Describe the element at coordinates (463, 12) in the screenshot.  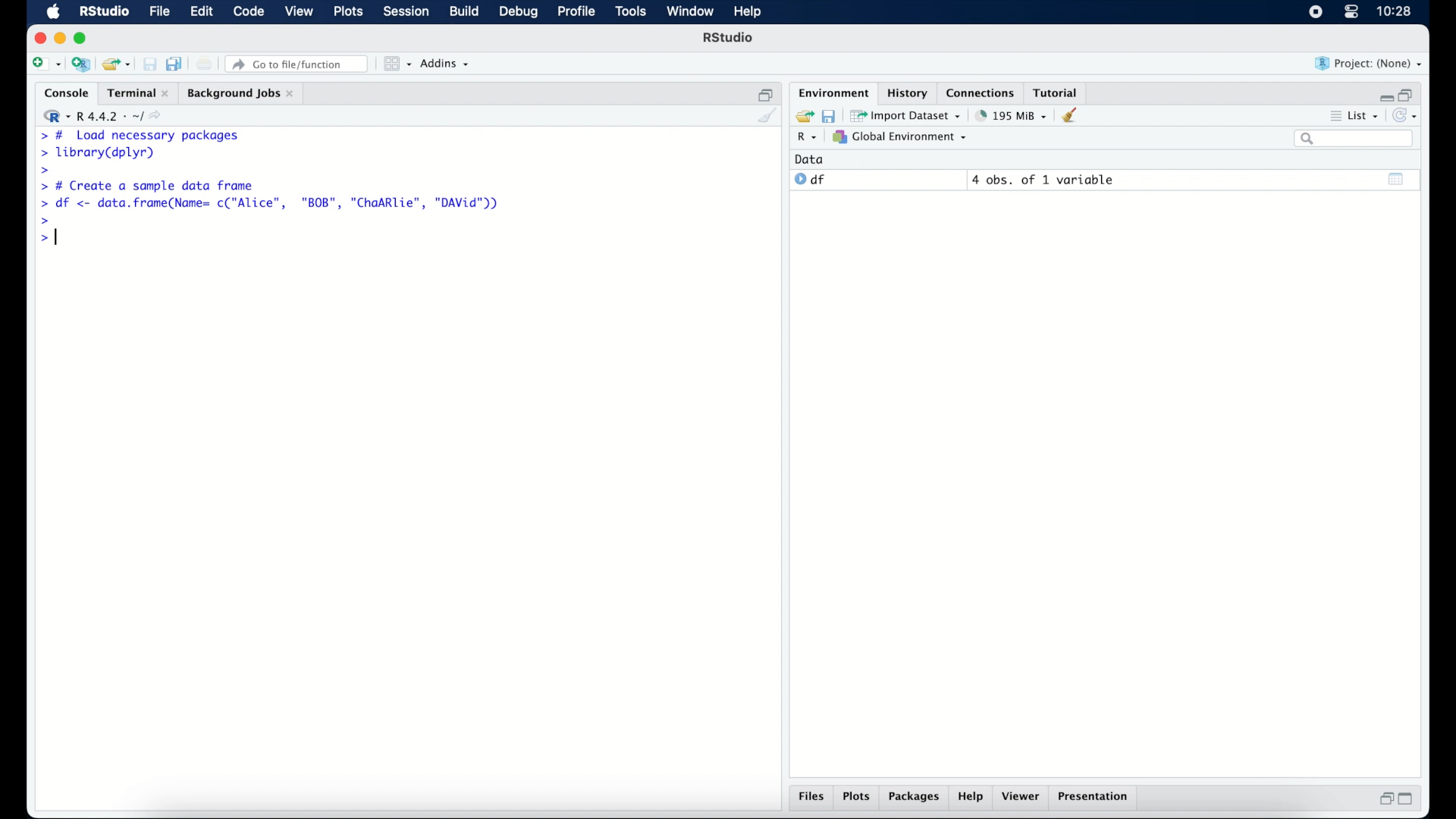
I see `build` at that location.